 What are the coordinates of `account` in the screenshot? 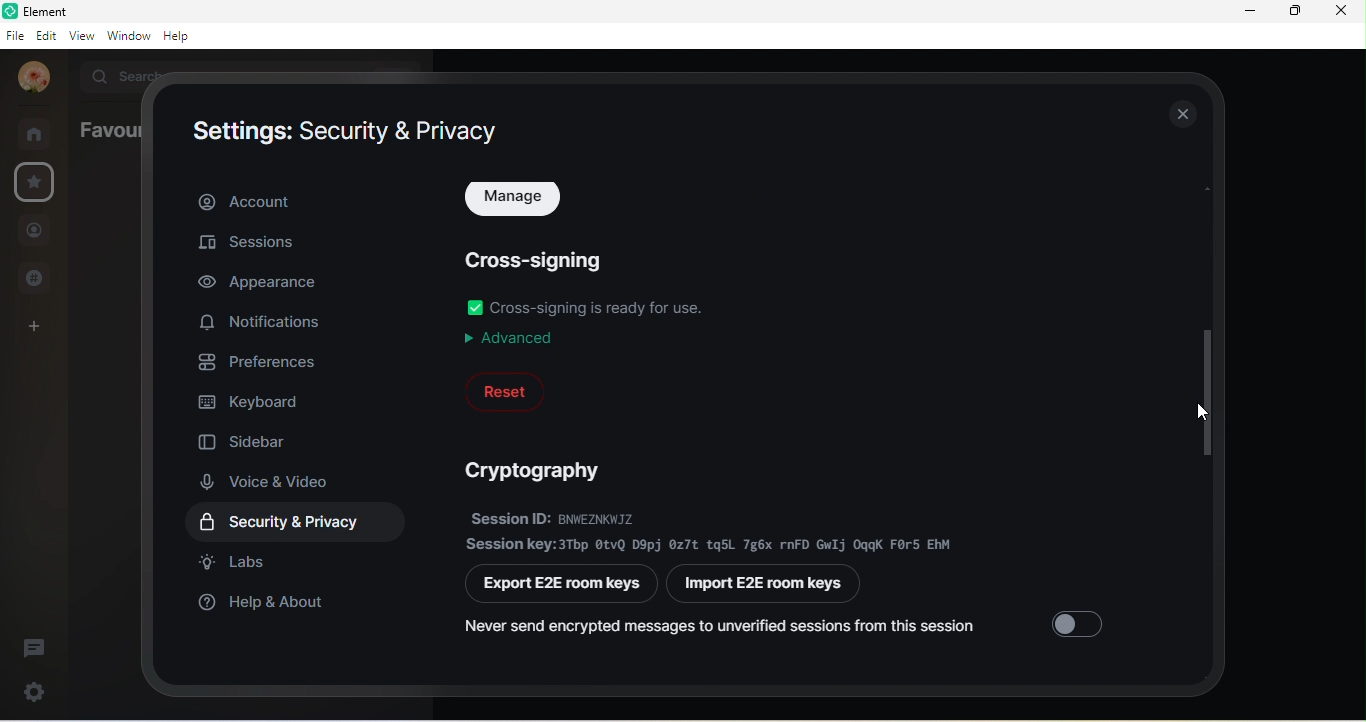 It's located at (298, 200).